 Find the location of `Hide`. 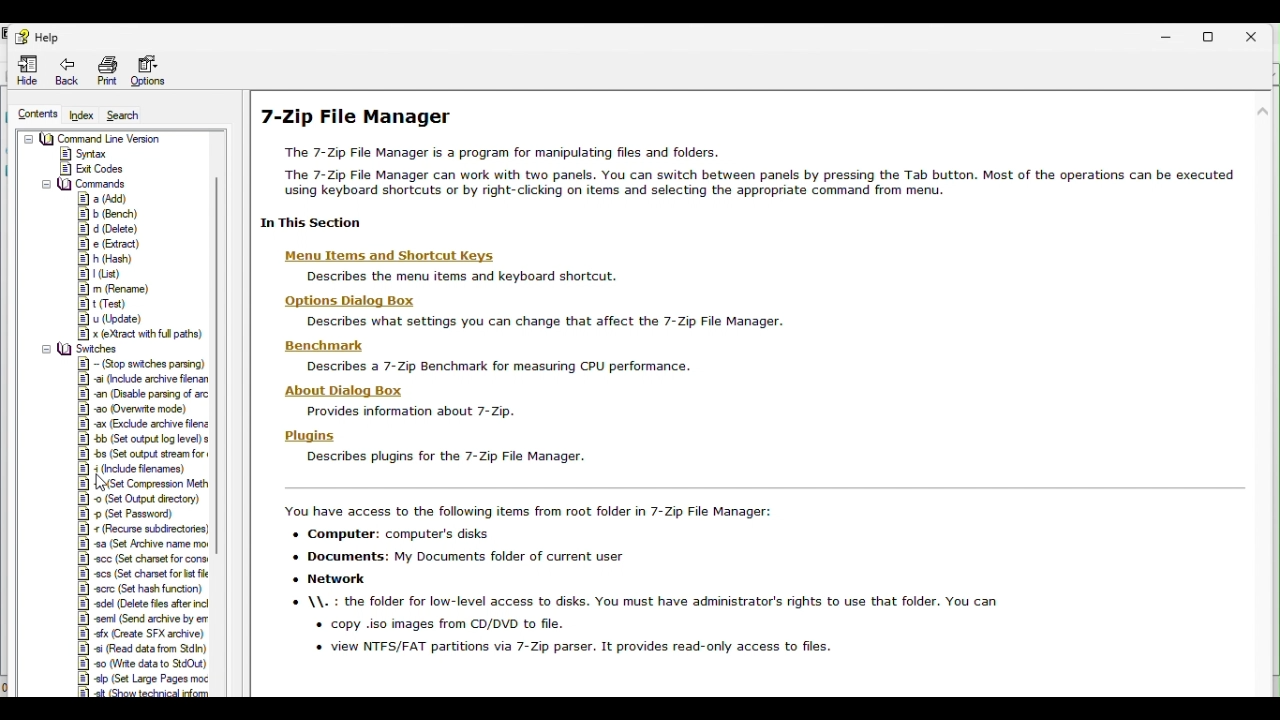

Hide is located at coordinates (24, 68).